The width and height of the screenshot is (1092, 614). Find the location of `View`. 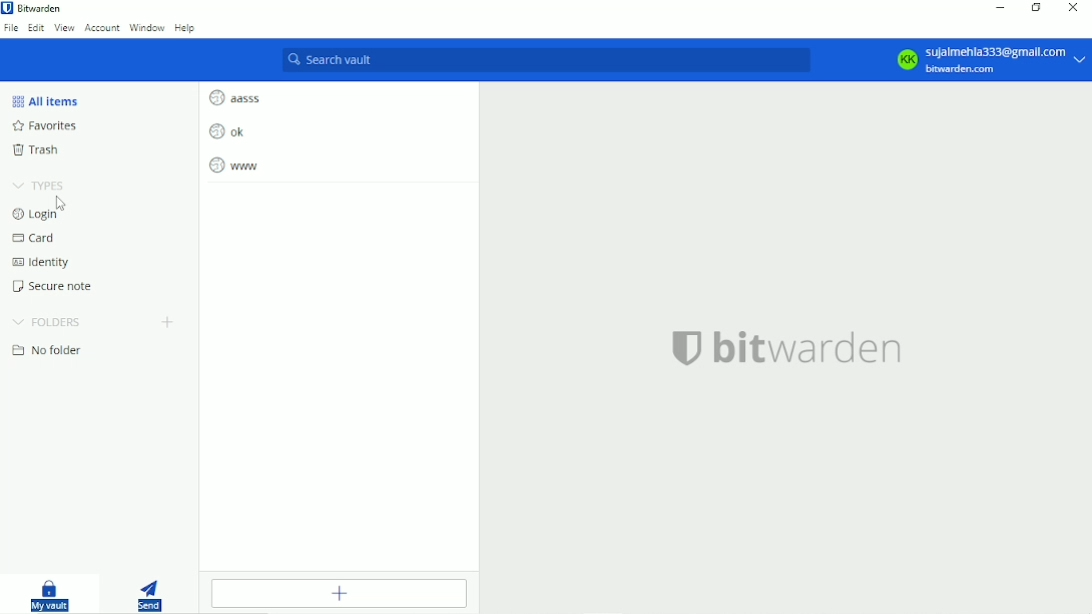

View is located at coordinates (64, 29).